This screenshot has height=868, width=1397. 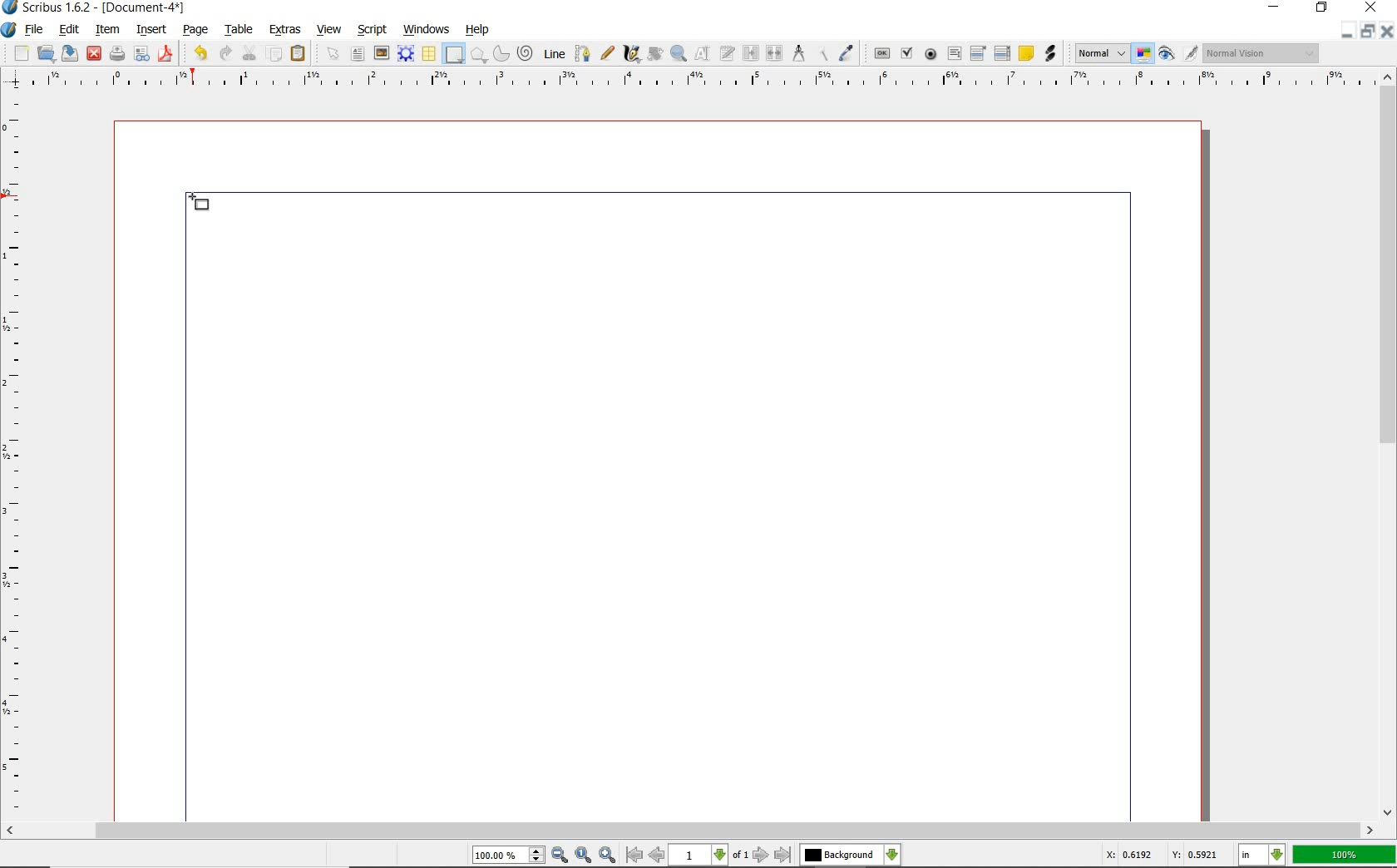 What do you see at coordinates (748, 52) in the screenshot?
I see `link text frames` at bounding box center [748, 52].